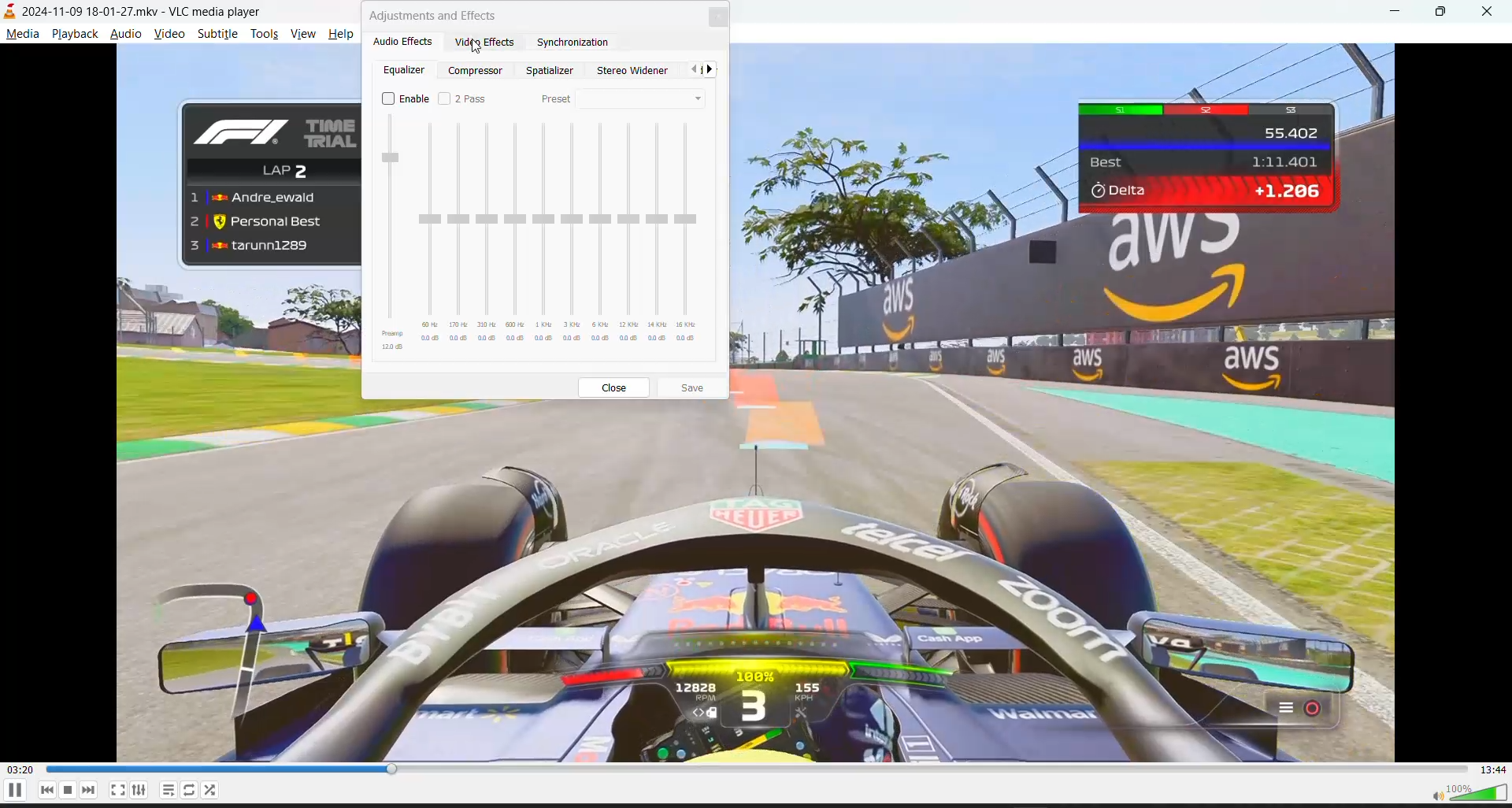 The height and width of the screenshot is (808, 1512). What do you see at coordinates (1386, 14) in the screenshot?
I see `minimize` at bounding box center [1386, 14].